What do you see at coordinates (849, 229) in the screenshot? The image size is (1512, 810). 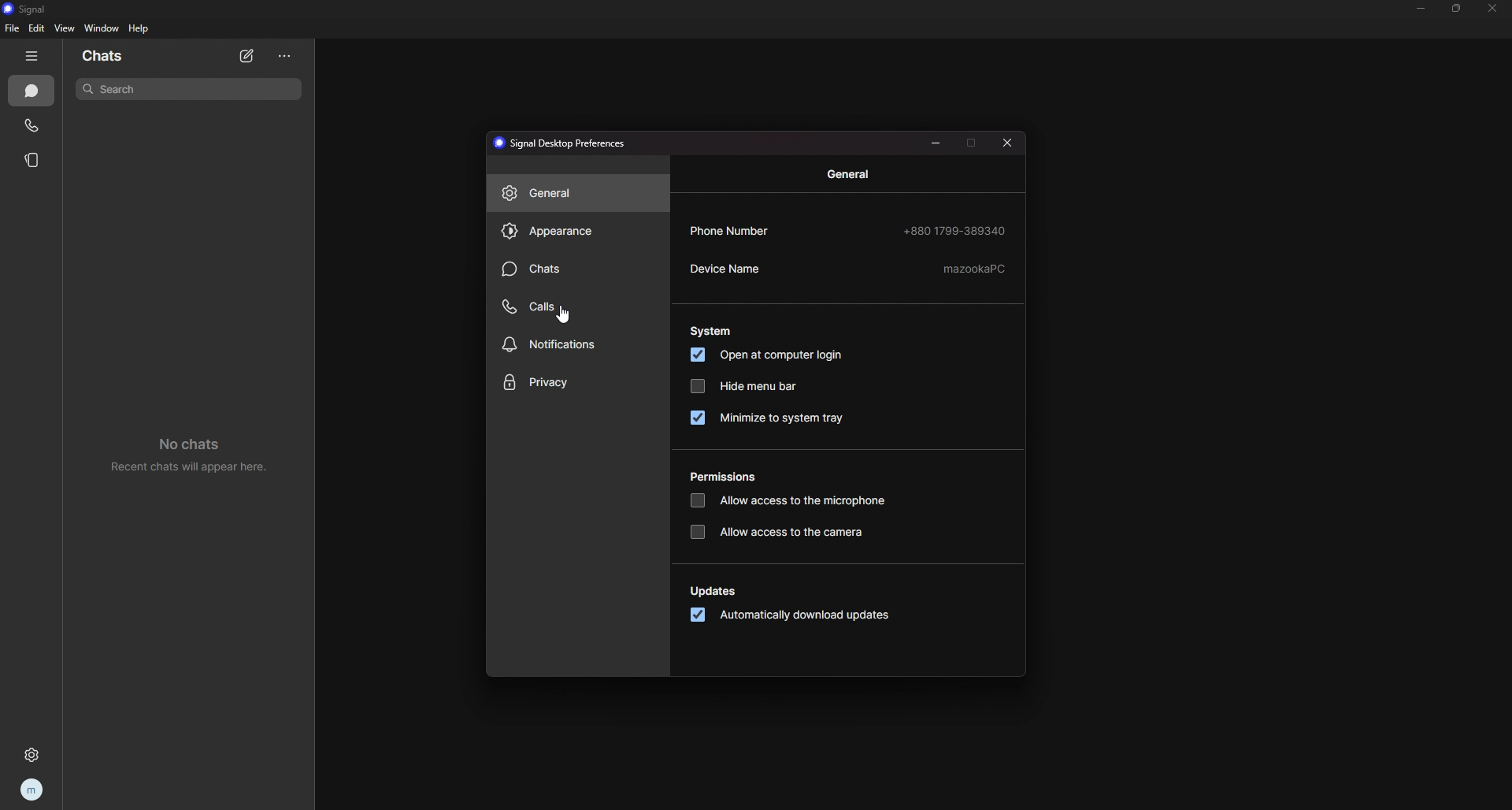 I see `phone number` at bounding box center [849, 229].